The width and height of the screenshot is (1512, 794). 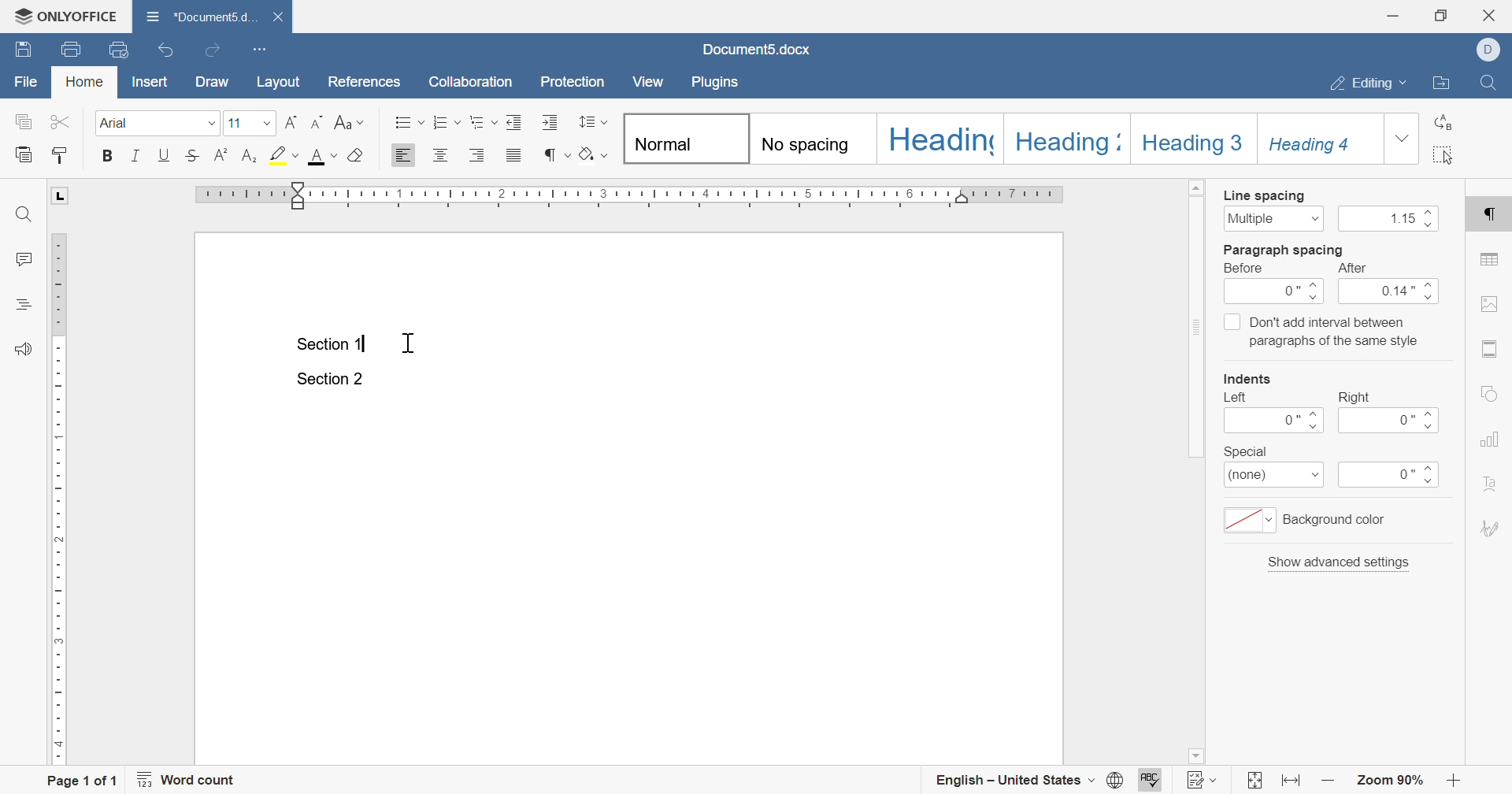 What do you see at coordinates (595, 153) in the screenshot?
I see `shading` at bounding box center [595, 153].